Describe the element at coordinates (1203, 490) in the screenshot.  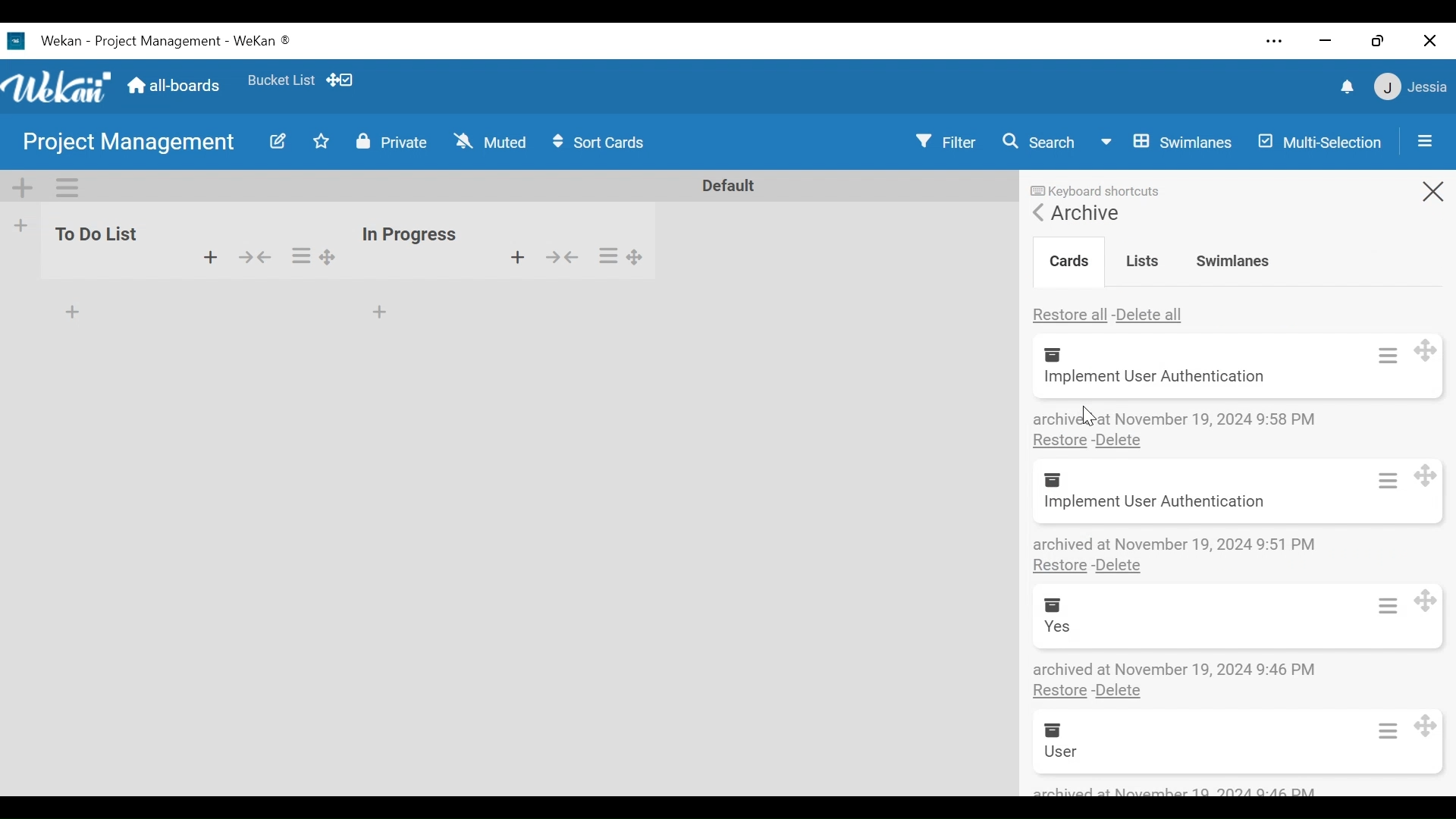
I see `Archive Crad` at that location.